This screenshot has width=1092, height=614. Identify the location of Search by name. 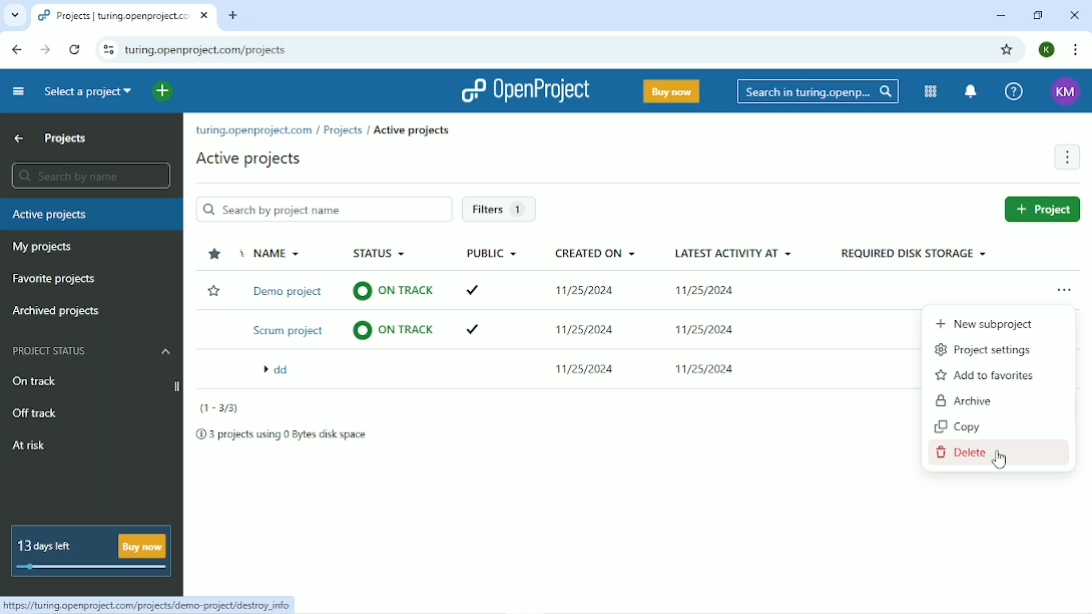
(89, 176).